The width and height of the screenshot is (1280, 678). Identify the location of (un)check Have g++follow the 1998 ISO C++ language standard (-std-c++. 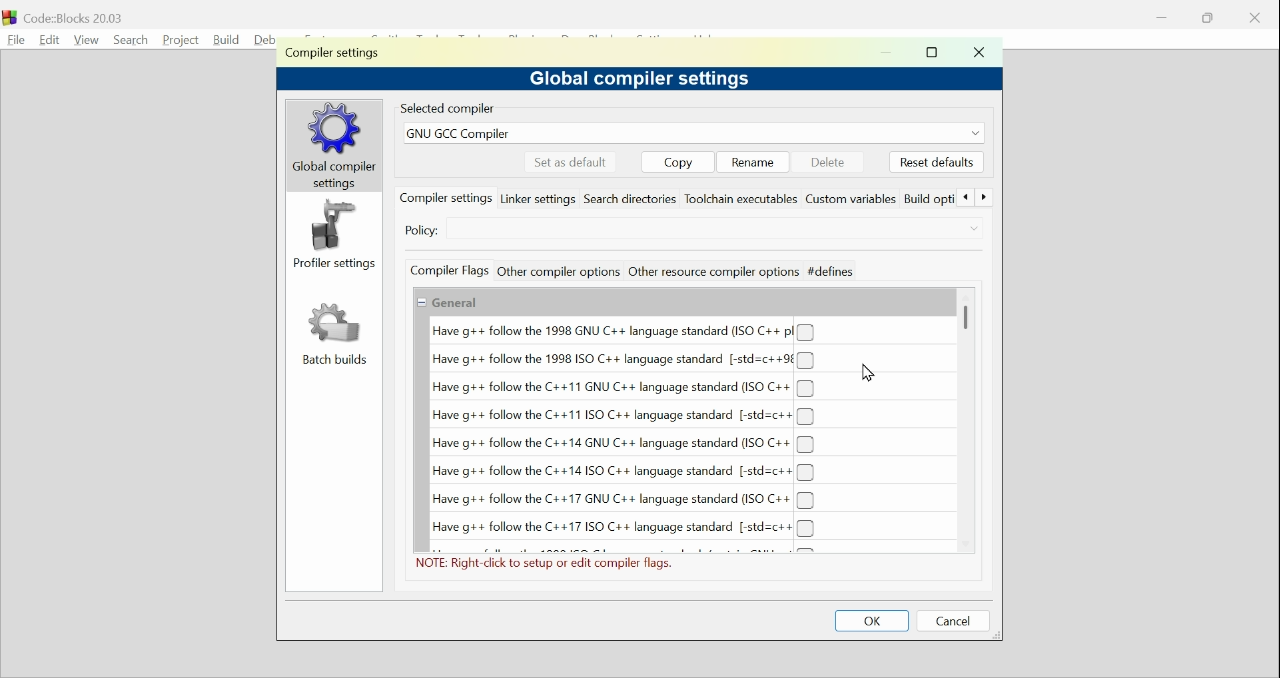
(621, 415).